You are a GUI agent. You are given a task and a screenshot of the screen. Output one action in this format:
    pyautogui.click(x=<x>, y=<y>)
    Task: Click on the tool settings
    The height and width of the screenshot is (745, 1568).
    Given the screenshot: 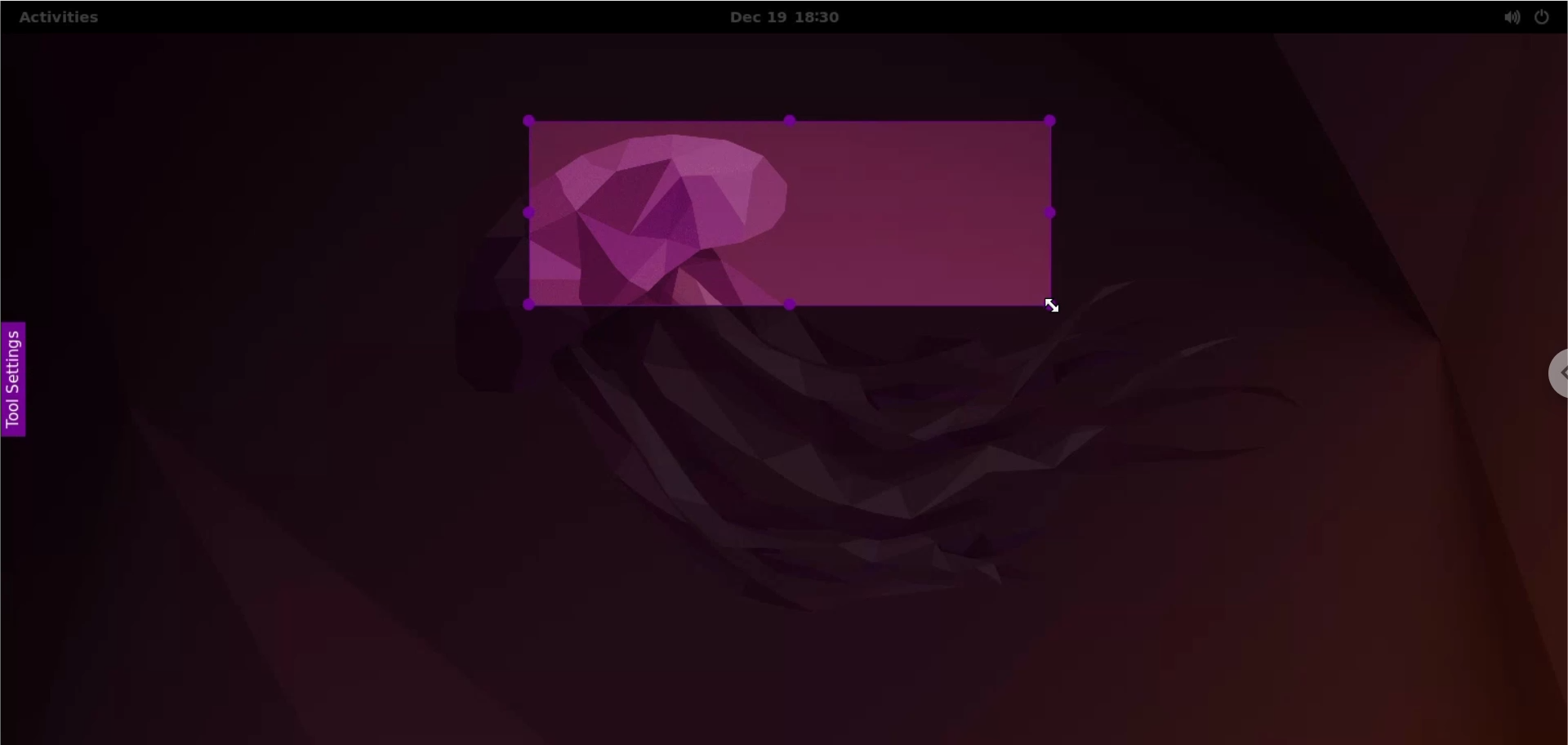 What is the action you would take?
    pyautogui.click(x=24, y=384)
    